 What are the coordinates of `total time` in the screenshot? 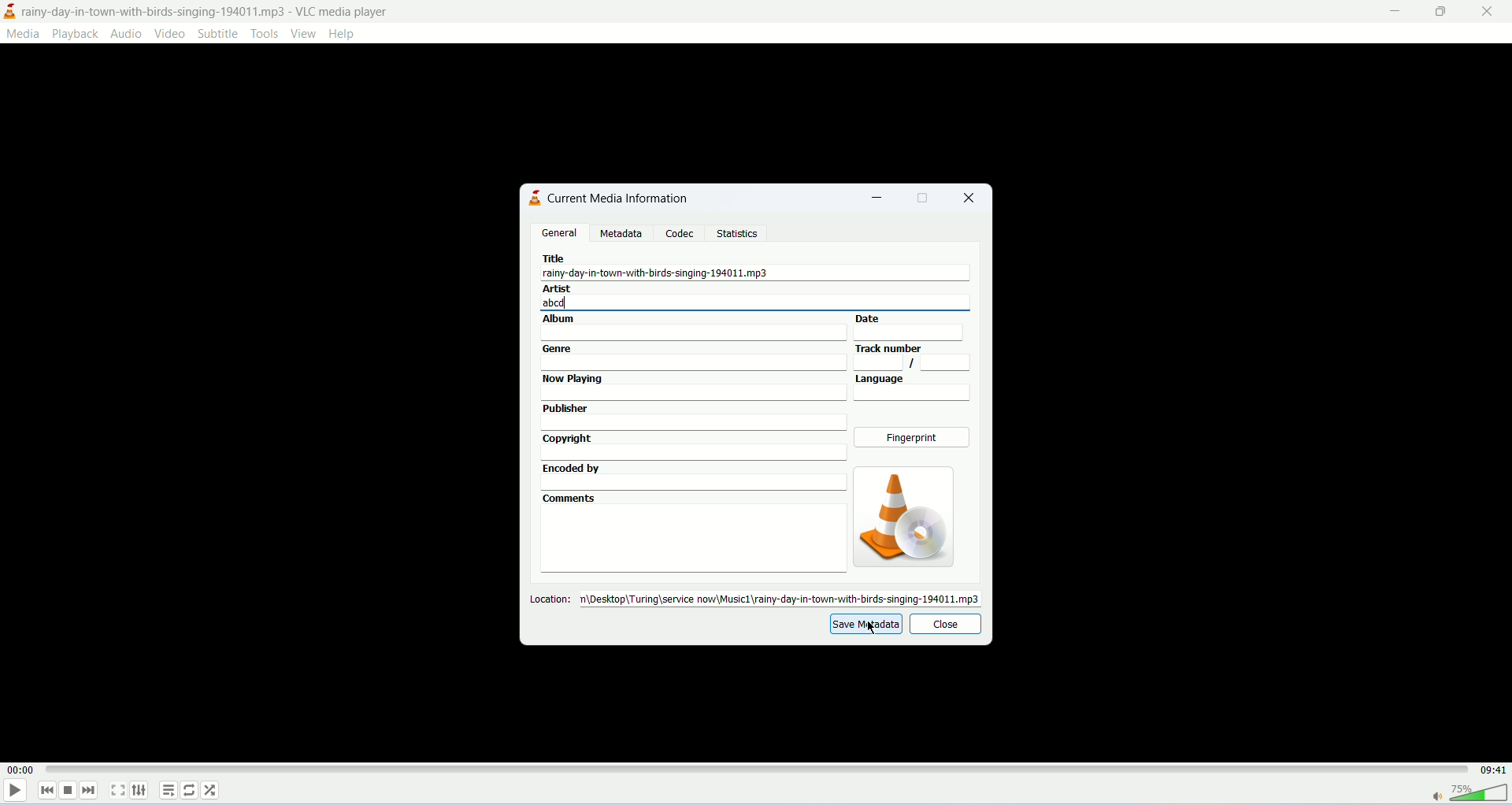 It's located at (1492, 770).